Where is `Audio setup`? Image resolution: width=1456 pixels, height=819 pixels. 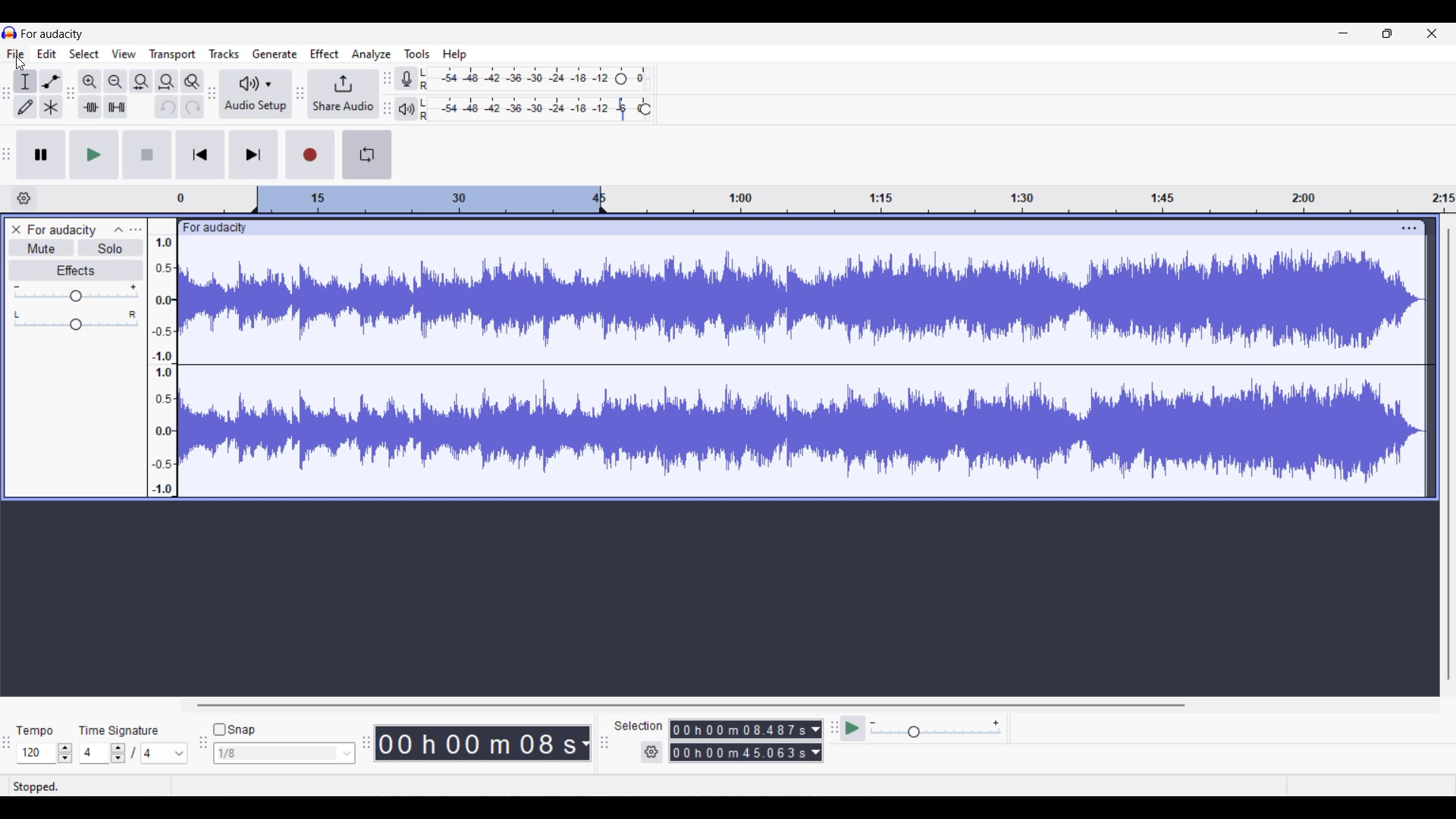
Audio setup is located at coordinates (256, 95).